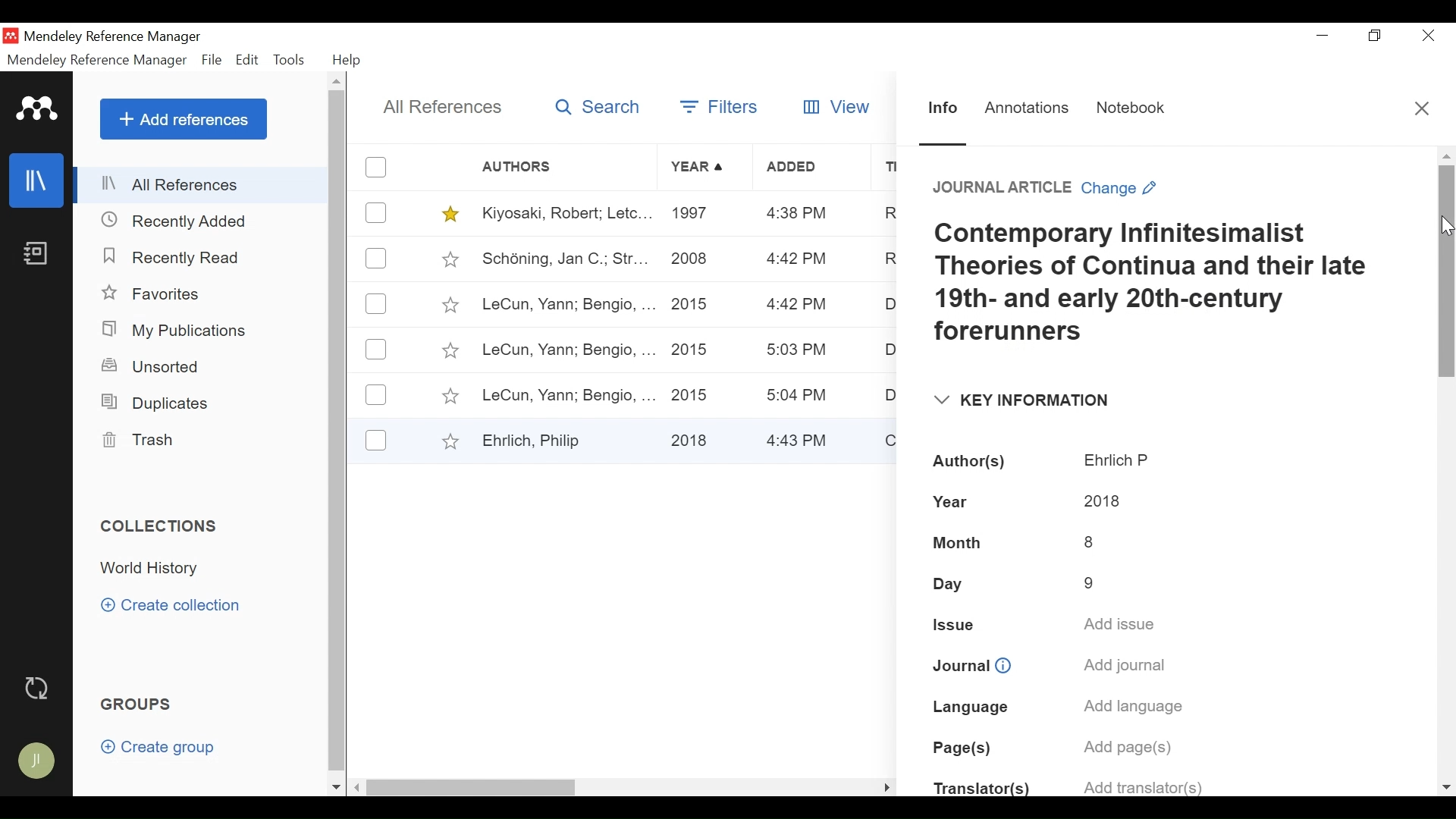  What do you see at coordinates (175, 256) in the screenshot?
I see `Recently Added` at bounding box center [175, 256].